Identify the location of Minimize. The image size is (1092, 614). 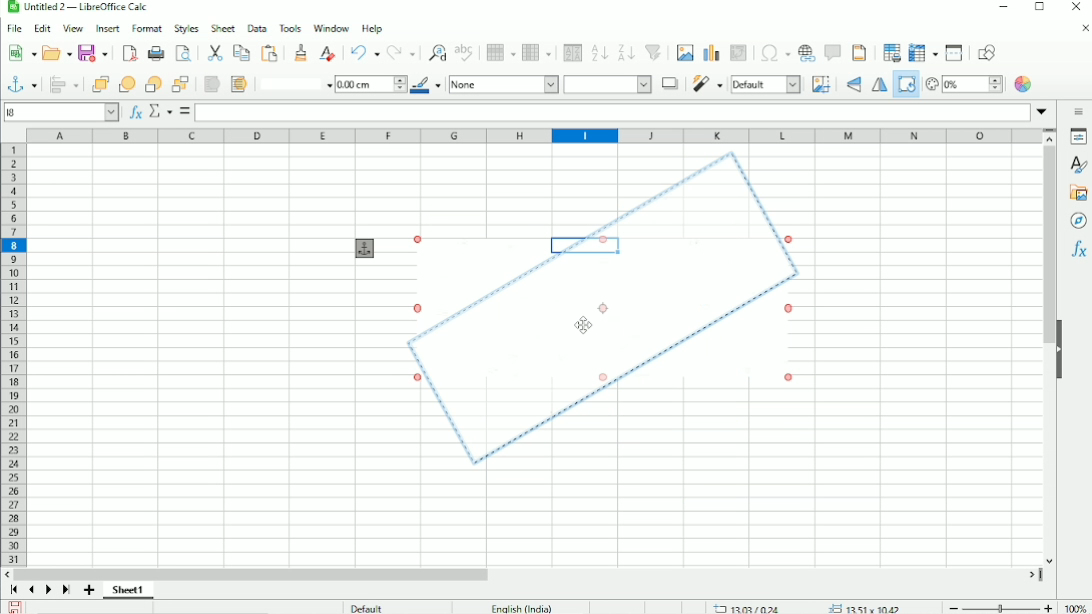
(1001, 6).